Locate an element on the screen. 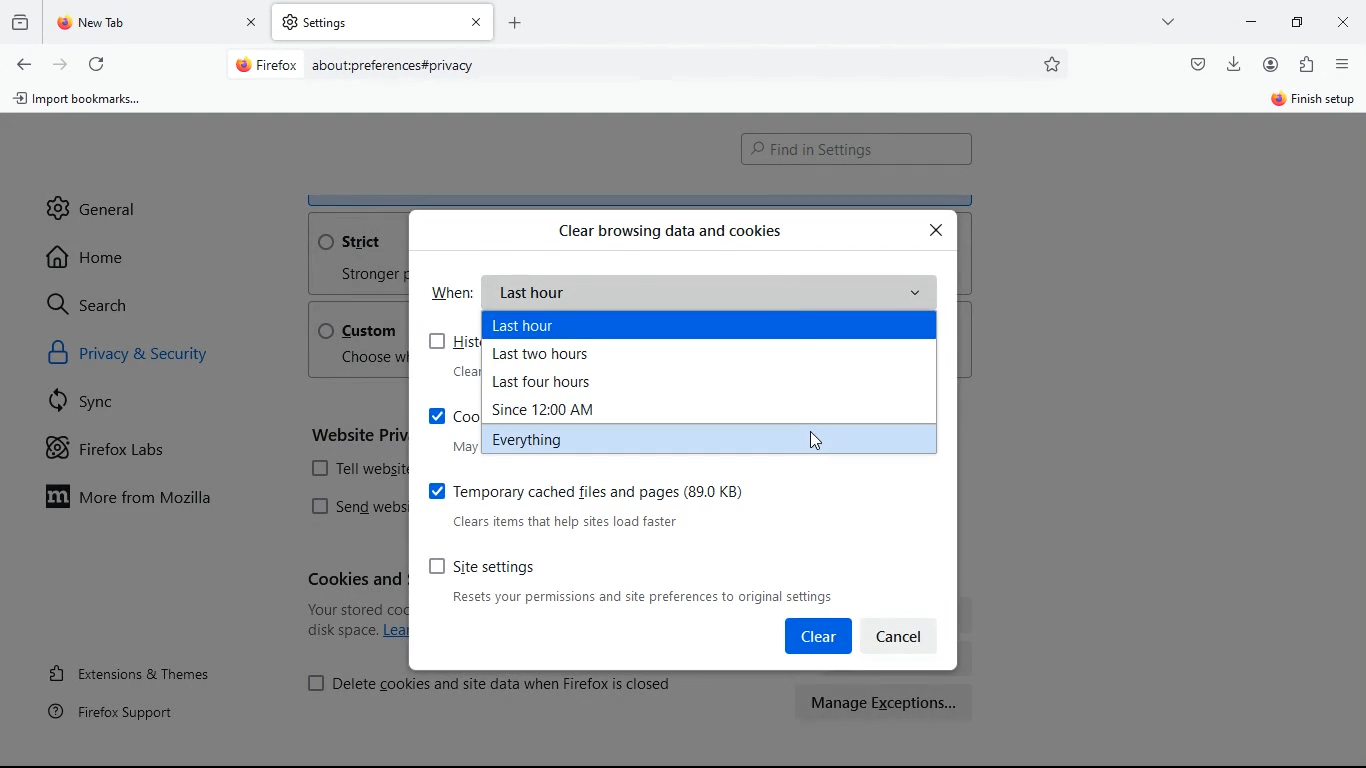 This screenshot has width=1366, height=768. cancel is located at coordinates (907, 634).